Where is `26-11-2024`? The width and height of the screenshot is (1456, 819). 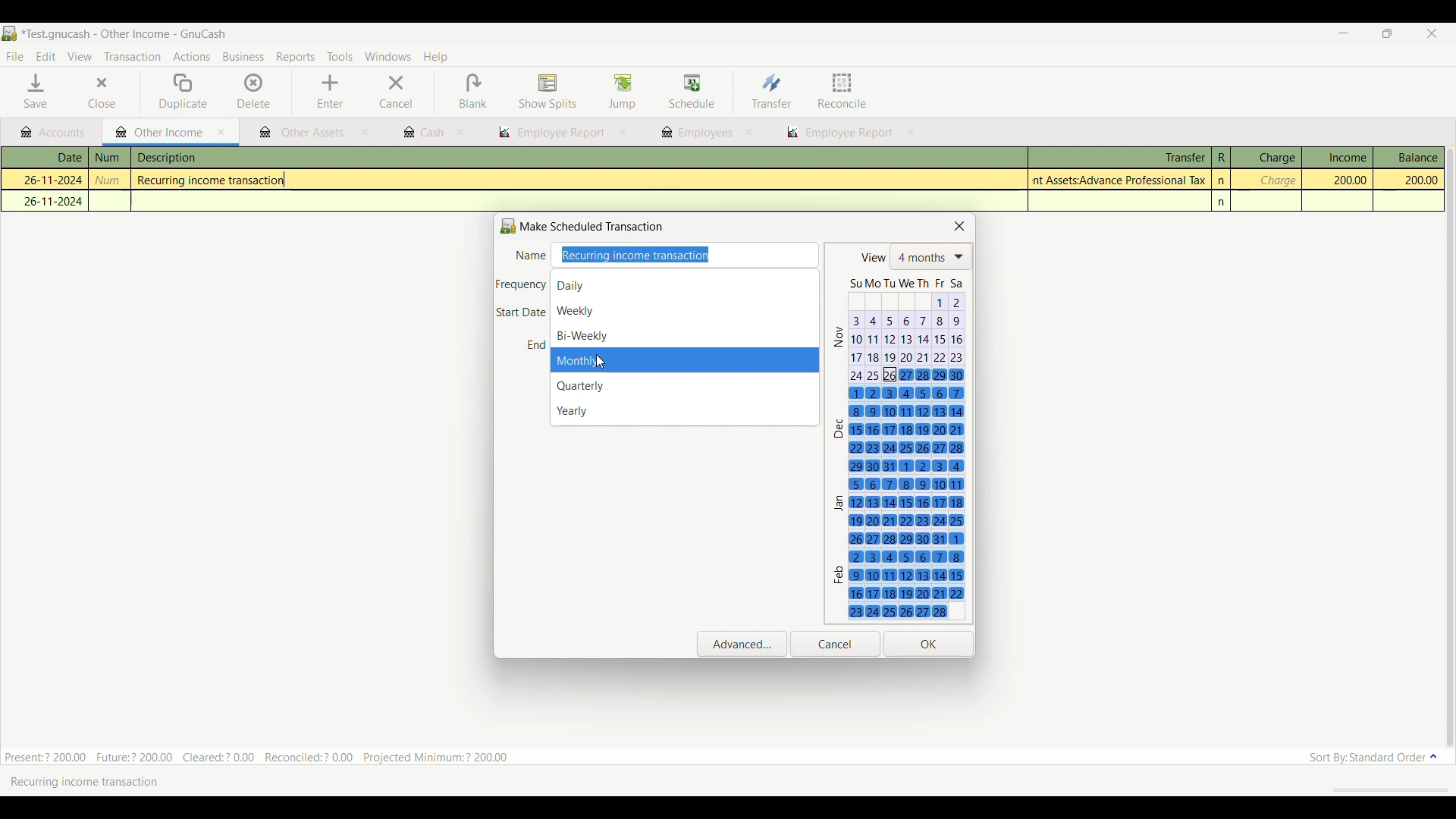 26-11-2024 is located at coordinates (49, 201).